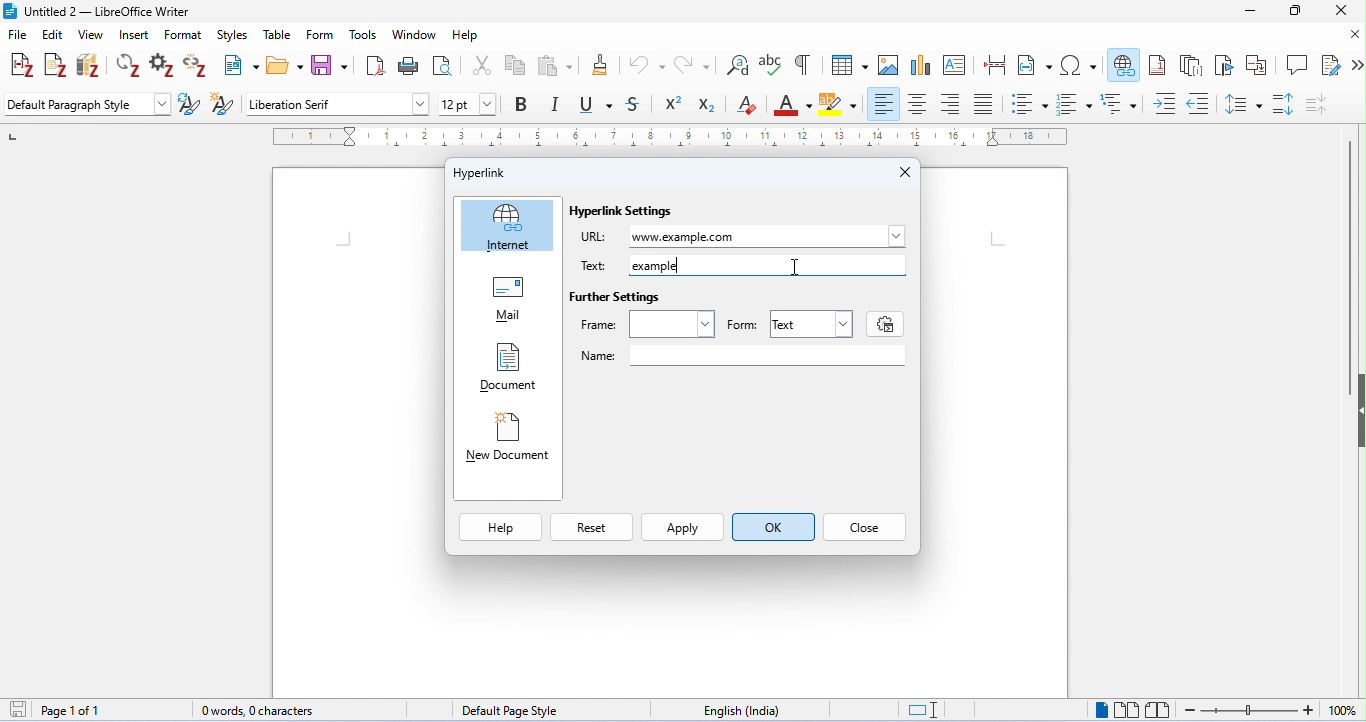  I want to click on file, so click(19, 35).